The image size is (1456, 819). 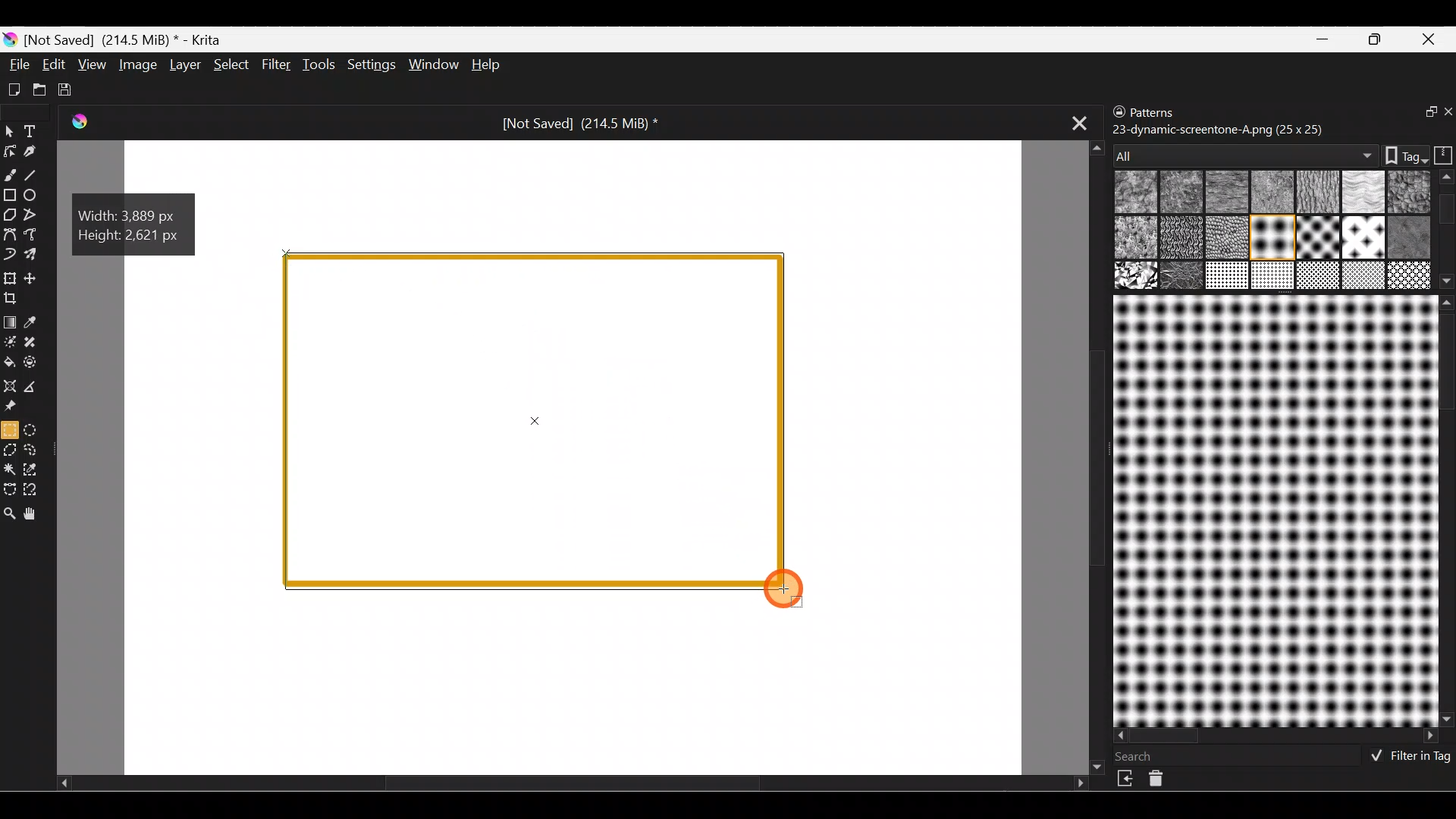 I want to click on Scroll tab, so click(x=1090, y=455).